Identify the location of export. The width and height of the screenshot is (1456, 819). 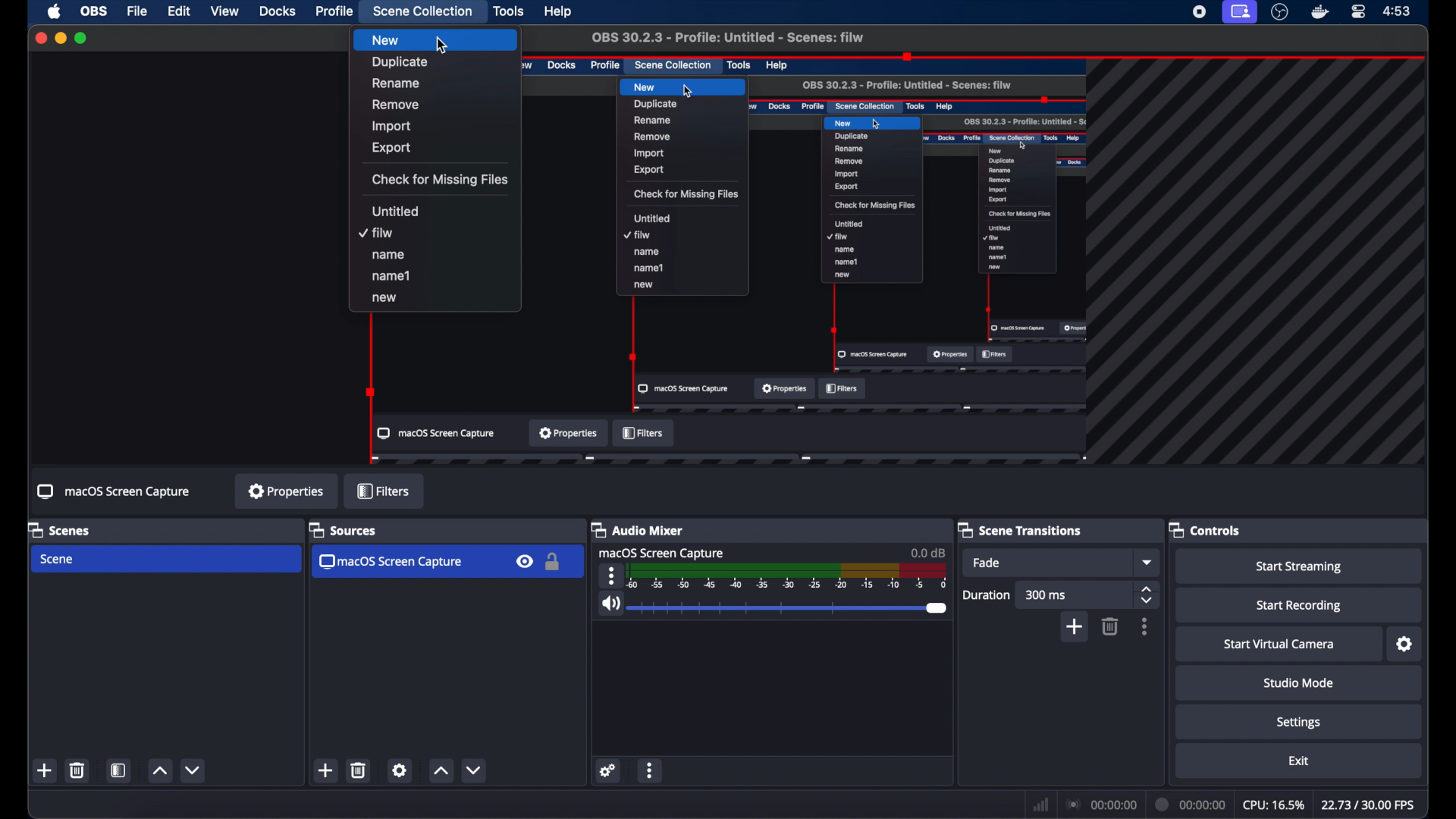
(391, 148).